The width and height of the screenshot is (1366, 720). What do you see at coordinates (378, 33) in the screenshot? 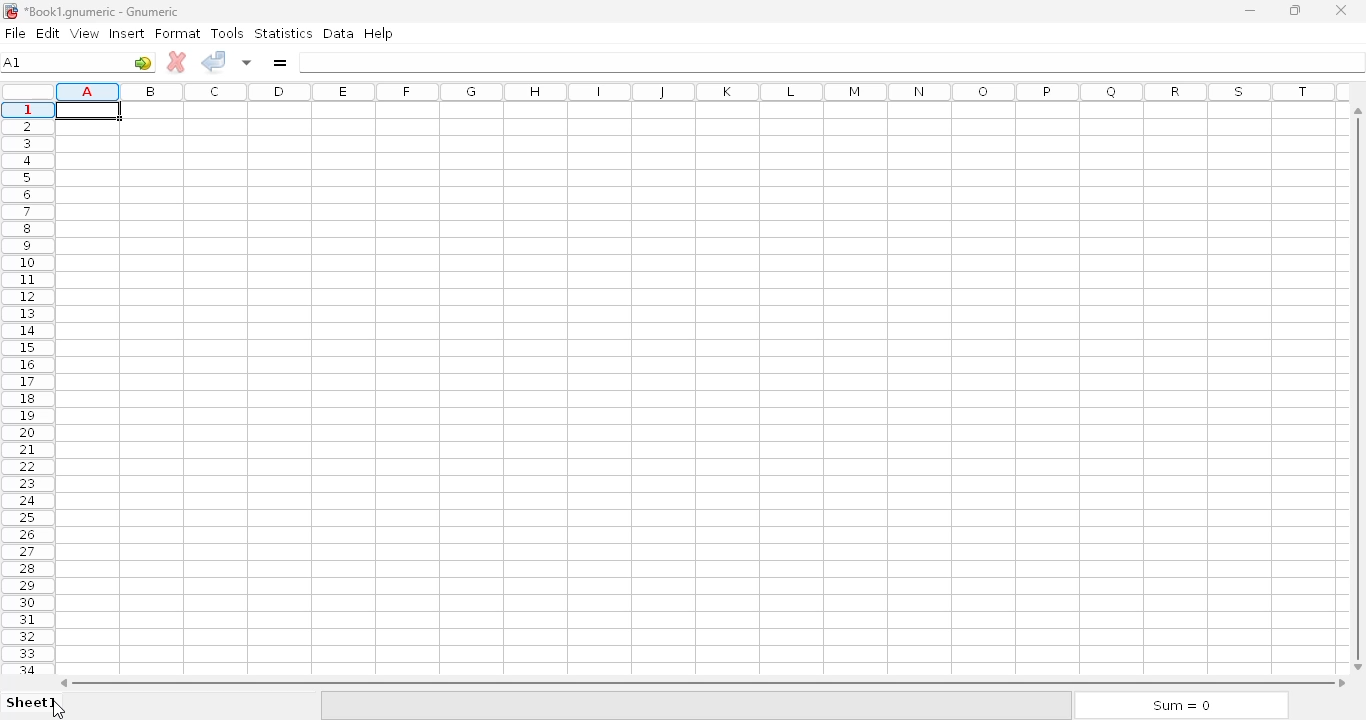
I see `help` at bounding box center [378, 33].